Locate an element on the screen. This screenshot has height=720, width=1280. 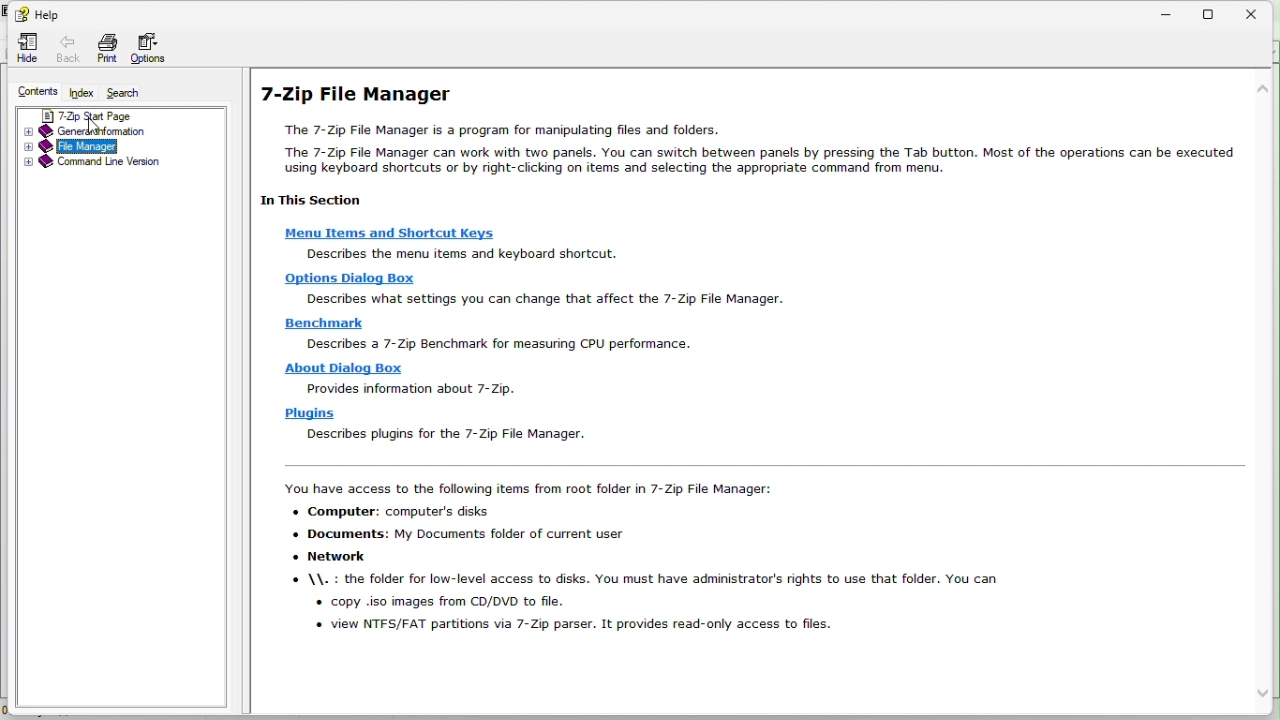
cursor is located at coordinates (98, 126).